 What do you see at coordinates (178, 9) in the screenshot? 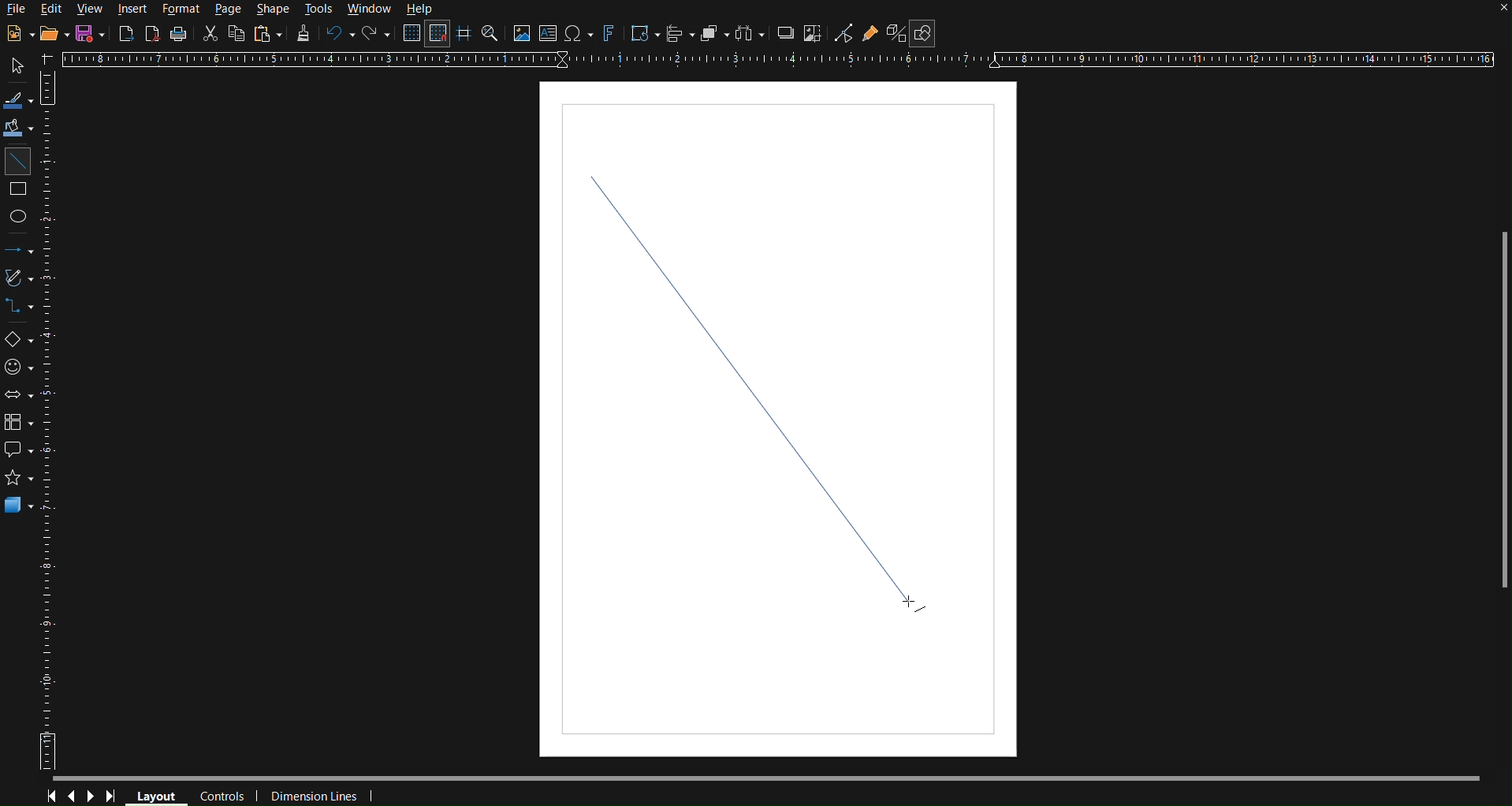
I see `Format` at bounding box center [178, 9].